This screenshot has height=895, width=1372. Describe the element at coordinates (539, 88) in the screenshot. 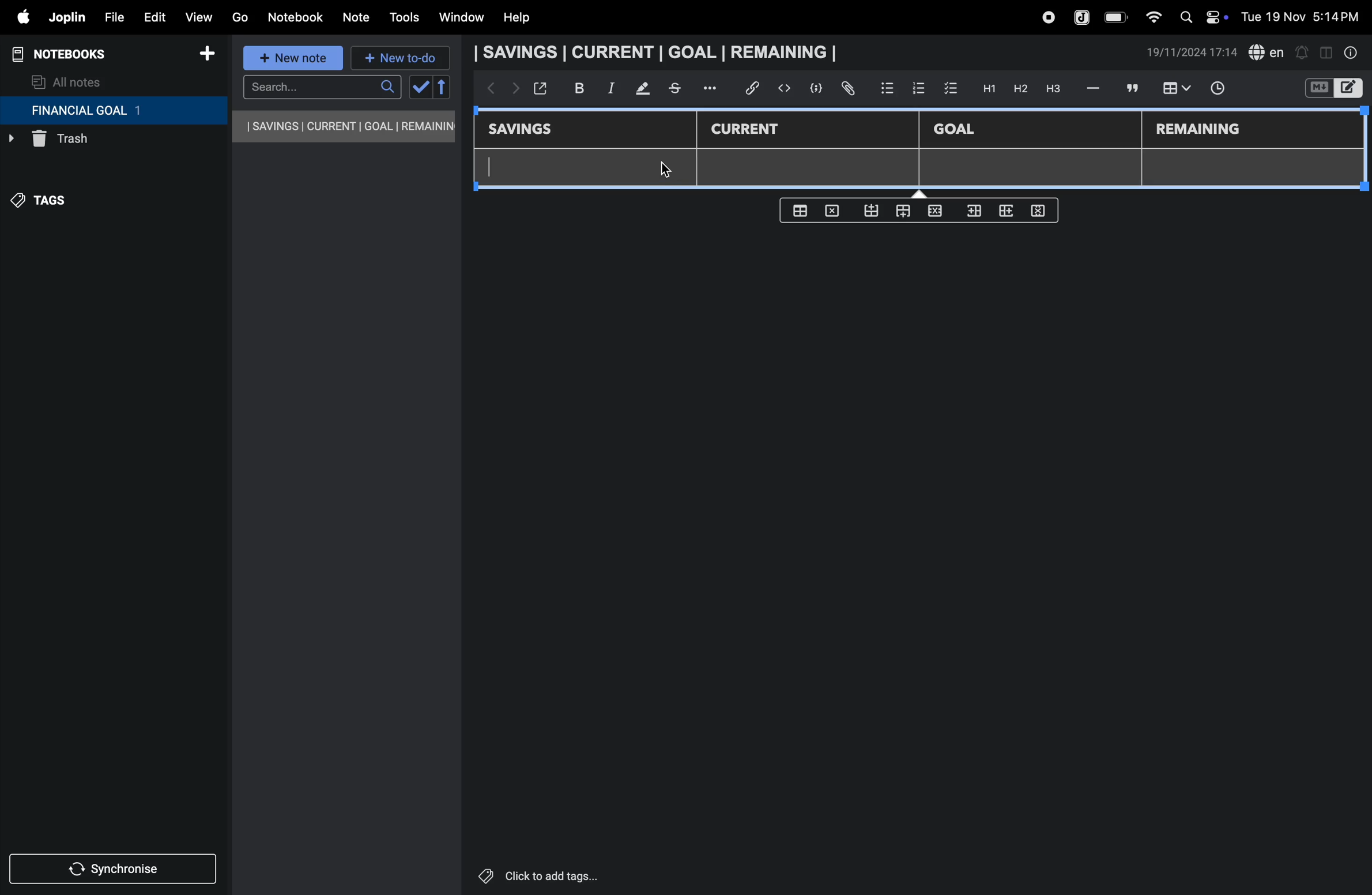

I see `open window` at that location.